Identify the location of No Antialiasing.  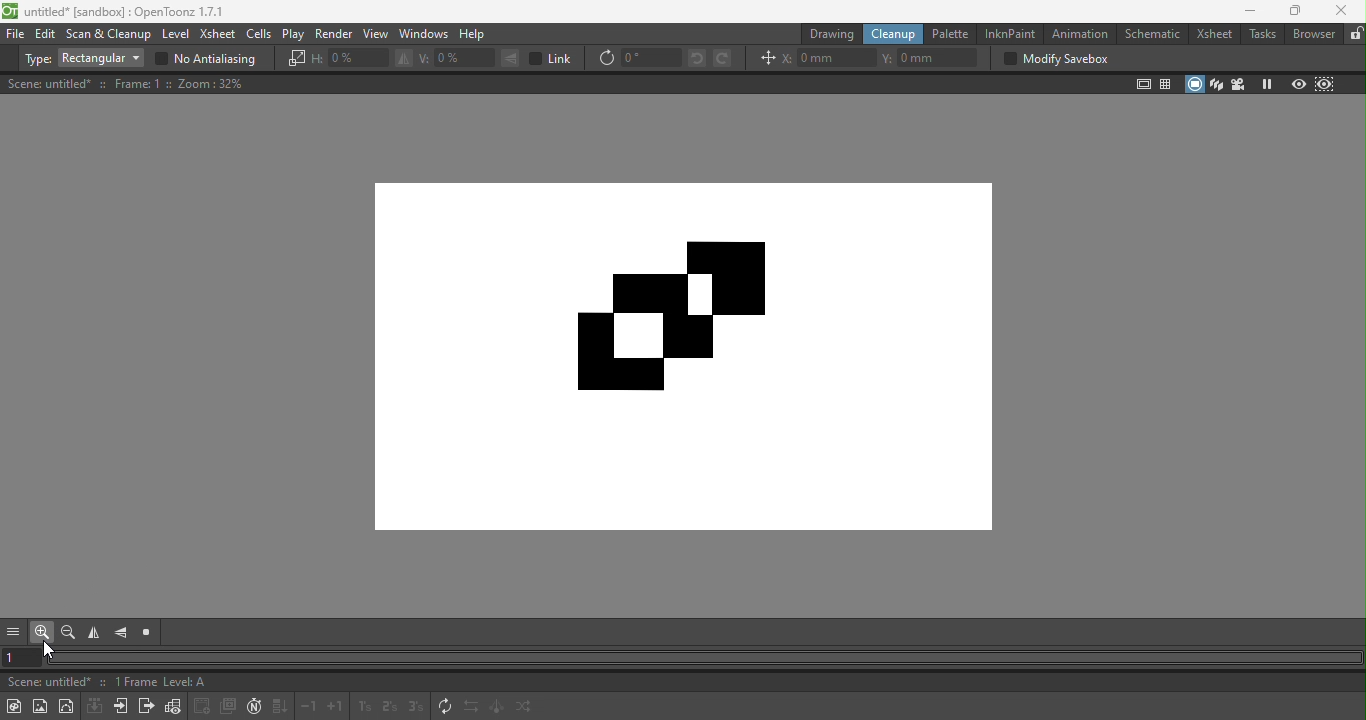
(211, 60).